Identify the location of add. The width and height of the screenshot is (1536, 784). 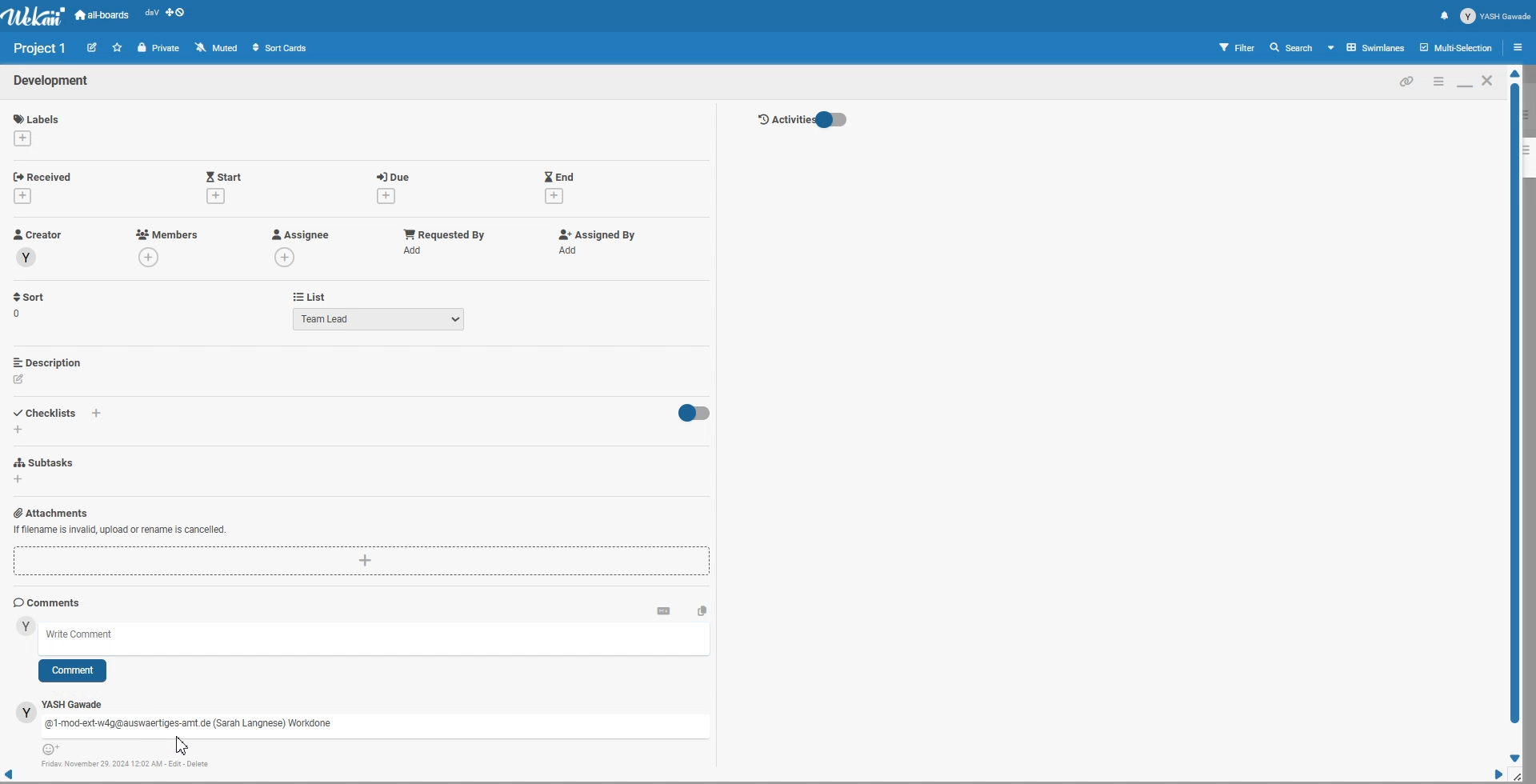
(19, 480).